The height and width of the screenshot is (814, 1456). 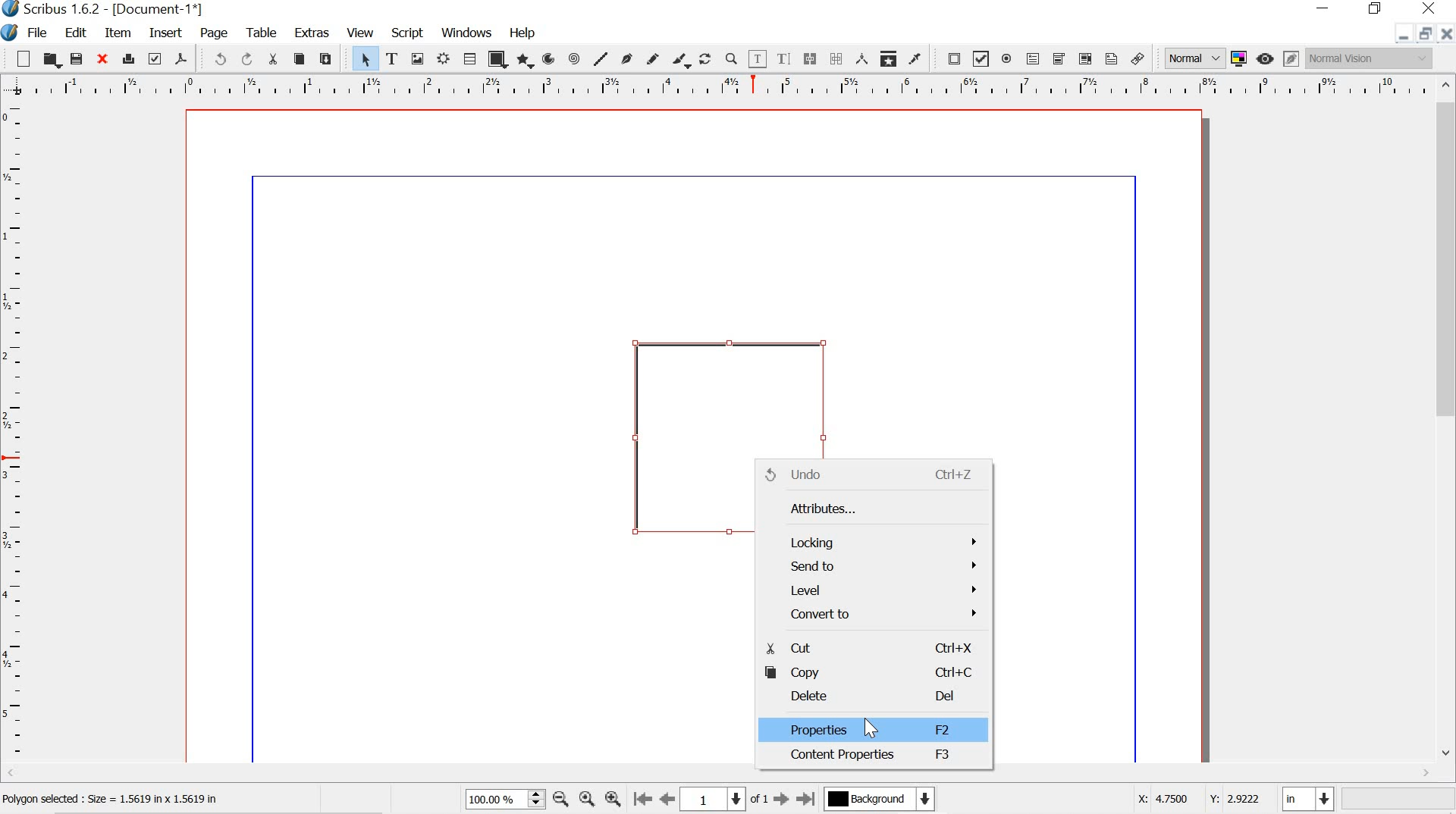 I want to click on table, so click(x=262, y=33).